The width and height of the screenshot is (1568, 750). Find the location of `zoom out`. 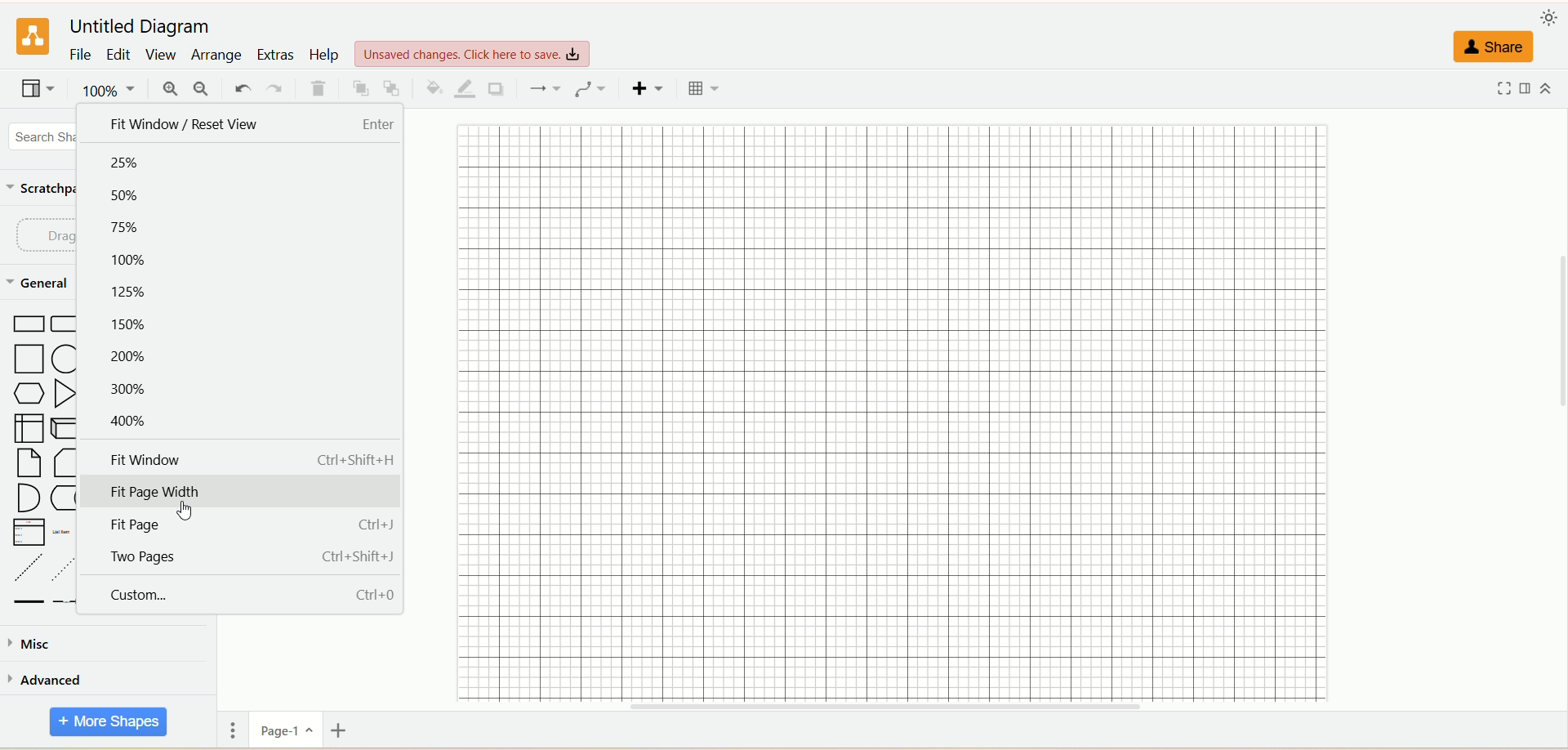

zoom out is located at coordinates (202, 90).